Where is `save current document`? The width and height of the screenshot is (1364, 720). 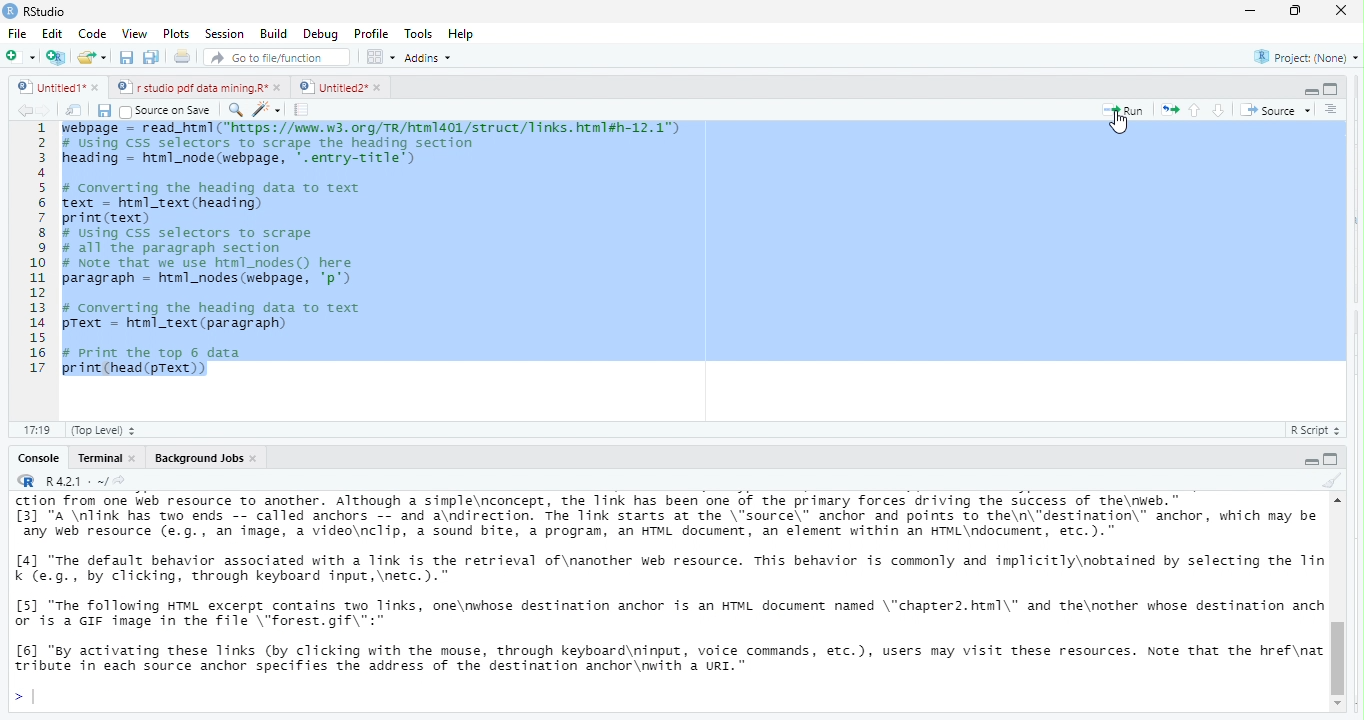 save current document is located at coordinates (126, 58).